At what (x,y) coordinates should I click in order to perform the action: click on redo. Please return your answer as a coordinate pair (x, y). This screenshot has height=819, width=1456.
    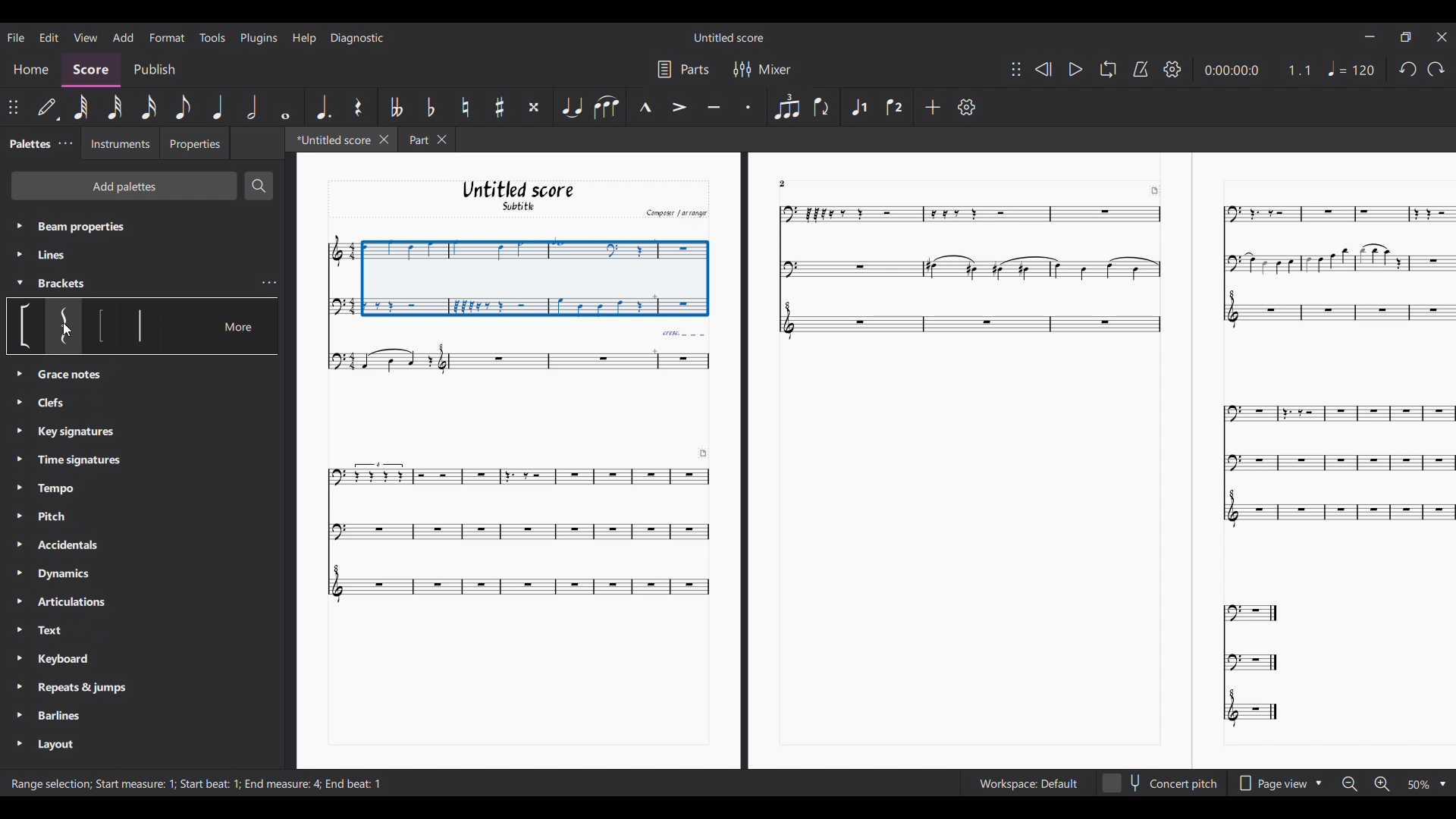
    Looking at the image, I should click on (1406, 73).